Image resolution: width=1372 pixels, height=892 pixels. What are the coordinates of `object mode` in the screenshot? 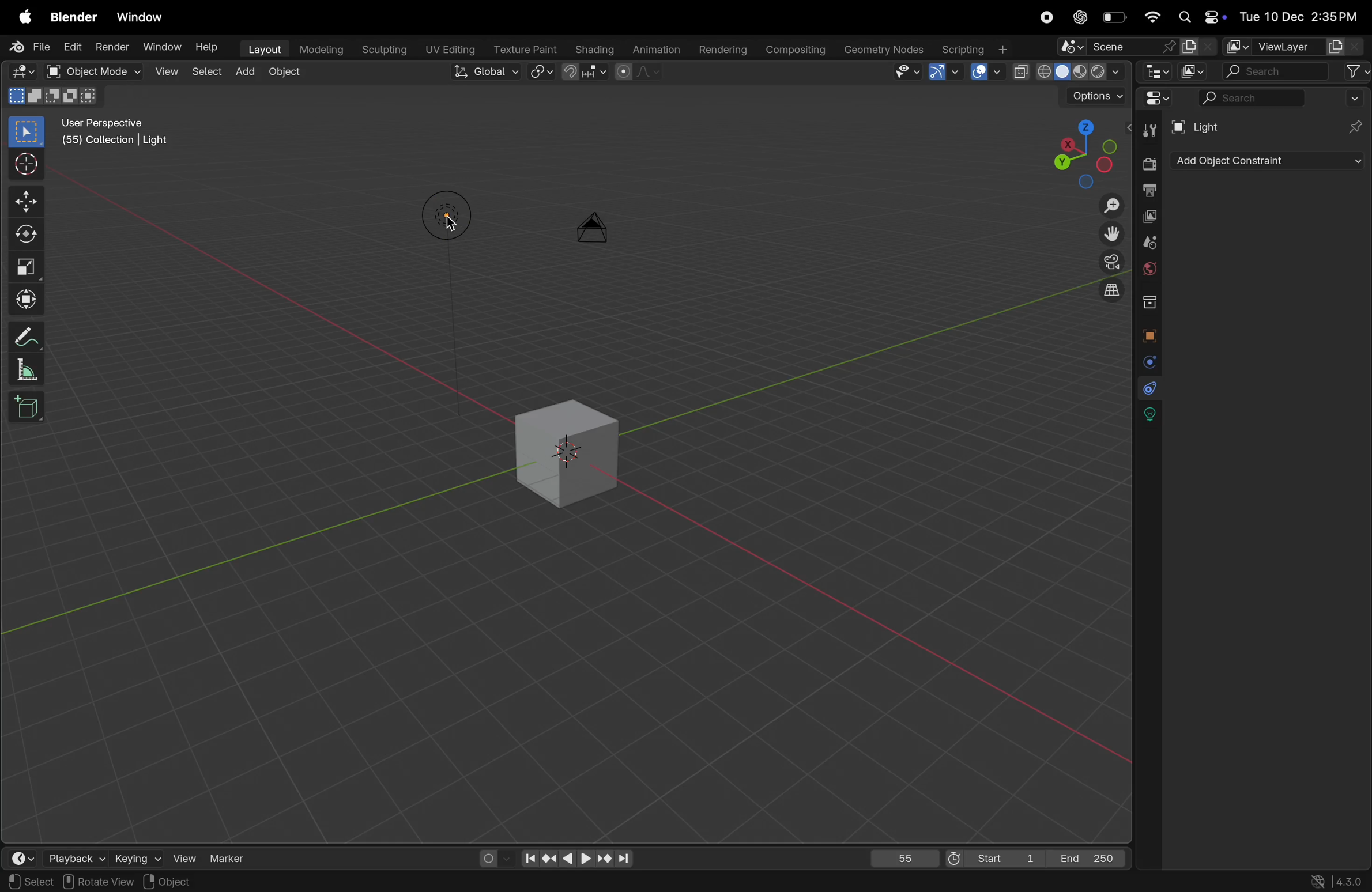 It's located at (93, 71).